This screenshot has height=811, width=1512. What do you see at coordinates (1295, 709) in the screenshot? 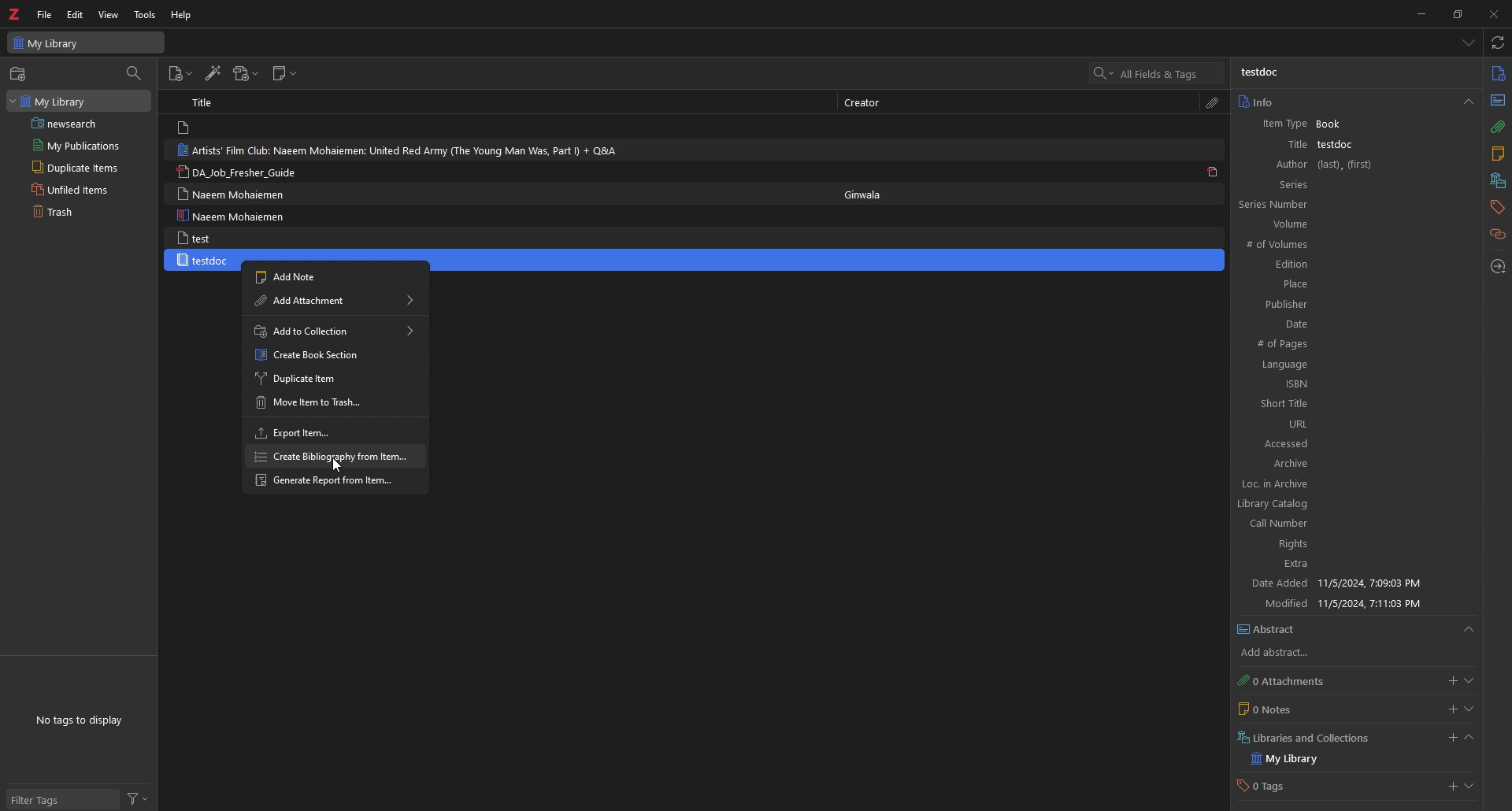
I see `0 Notes` at bounding box center [1295, 709].